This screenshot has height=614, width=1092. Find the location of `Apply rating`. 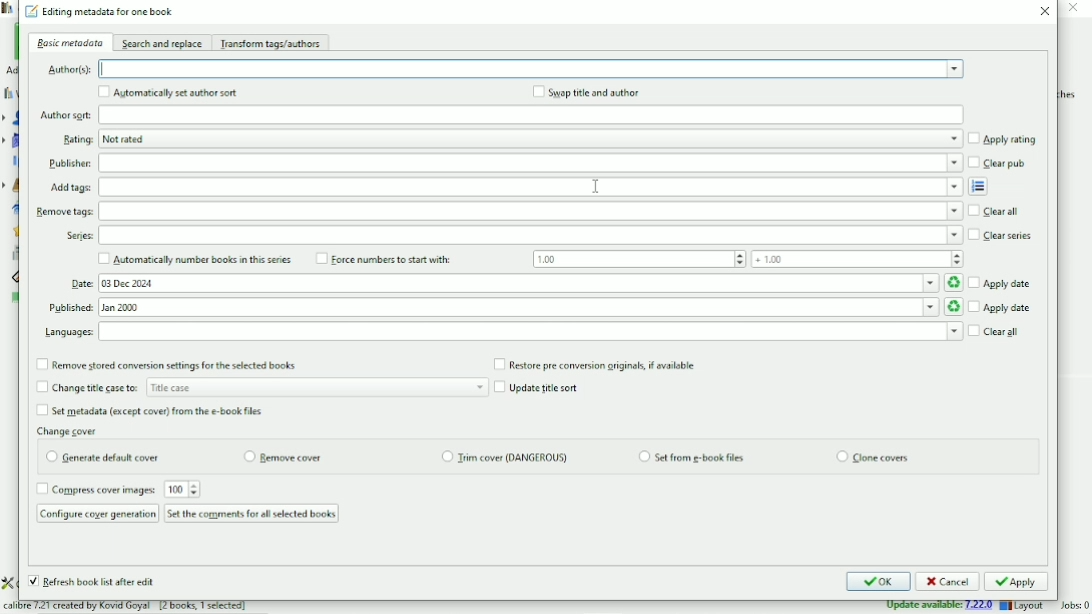

Apply rating is located at coordinates (1003, 139).